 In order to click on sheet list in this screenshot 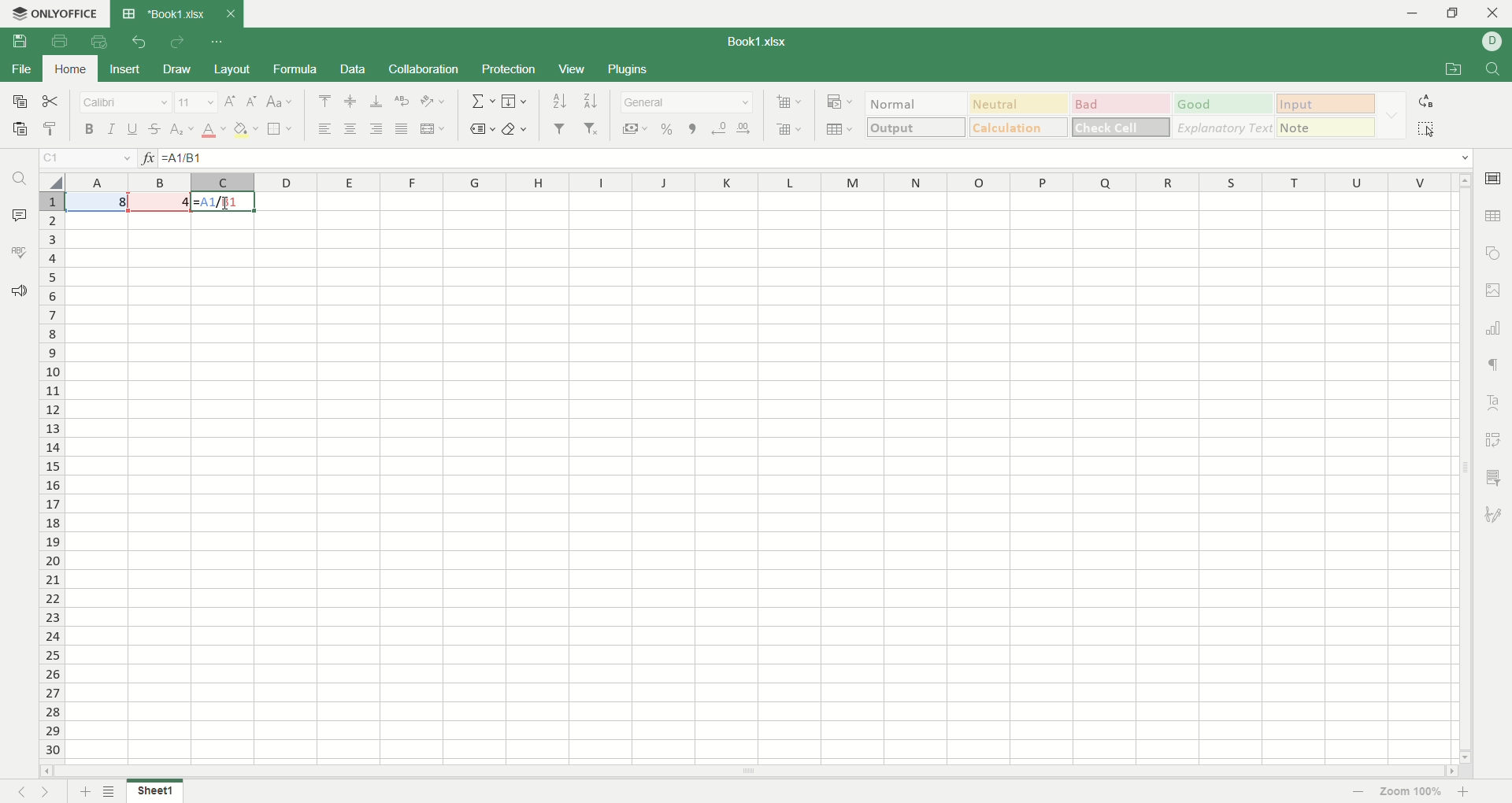, I will do `click(111, 791)`.